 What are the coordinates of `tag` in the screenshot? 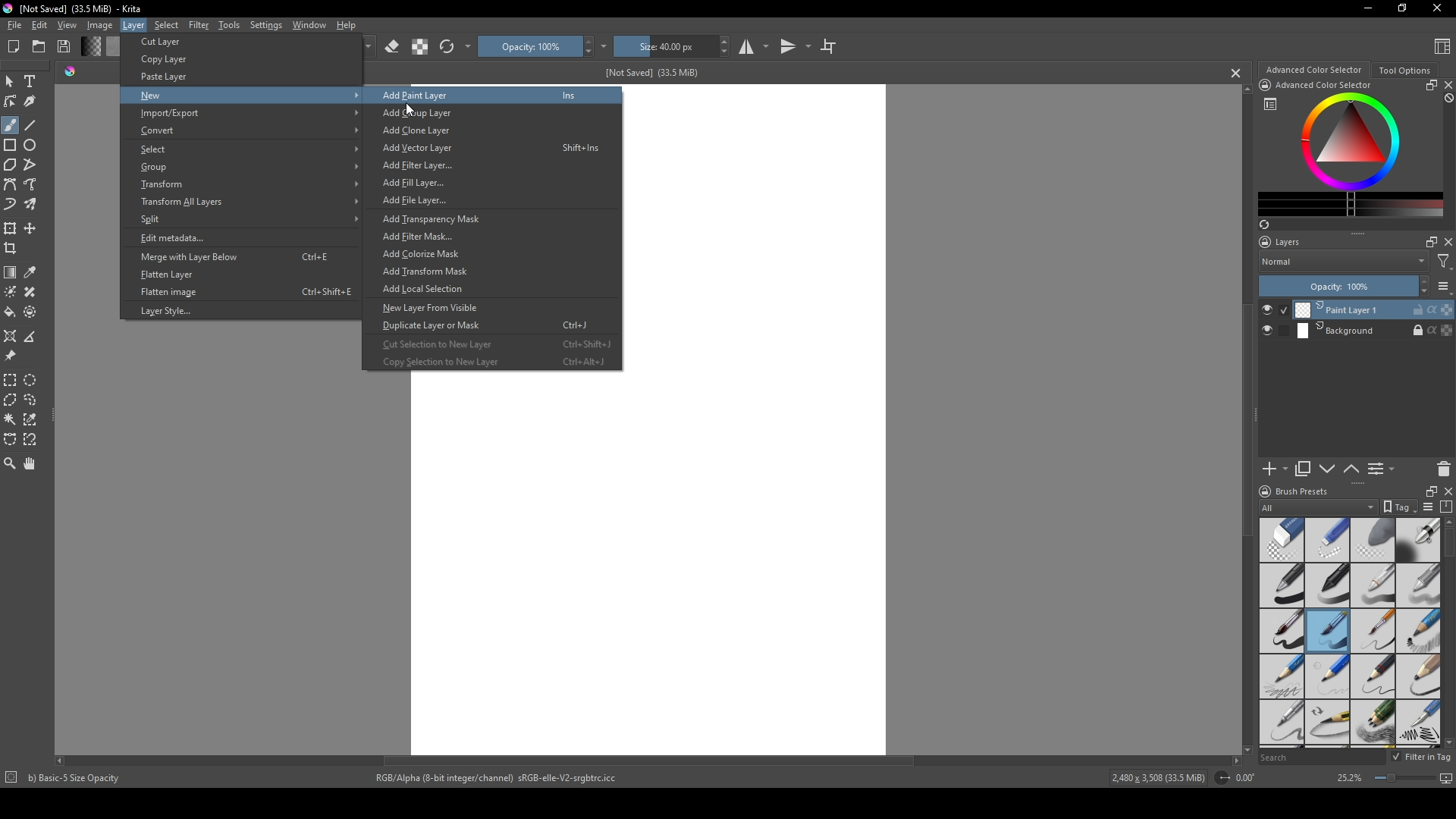 It's located at (1398, 507).